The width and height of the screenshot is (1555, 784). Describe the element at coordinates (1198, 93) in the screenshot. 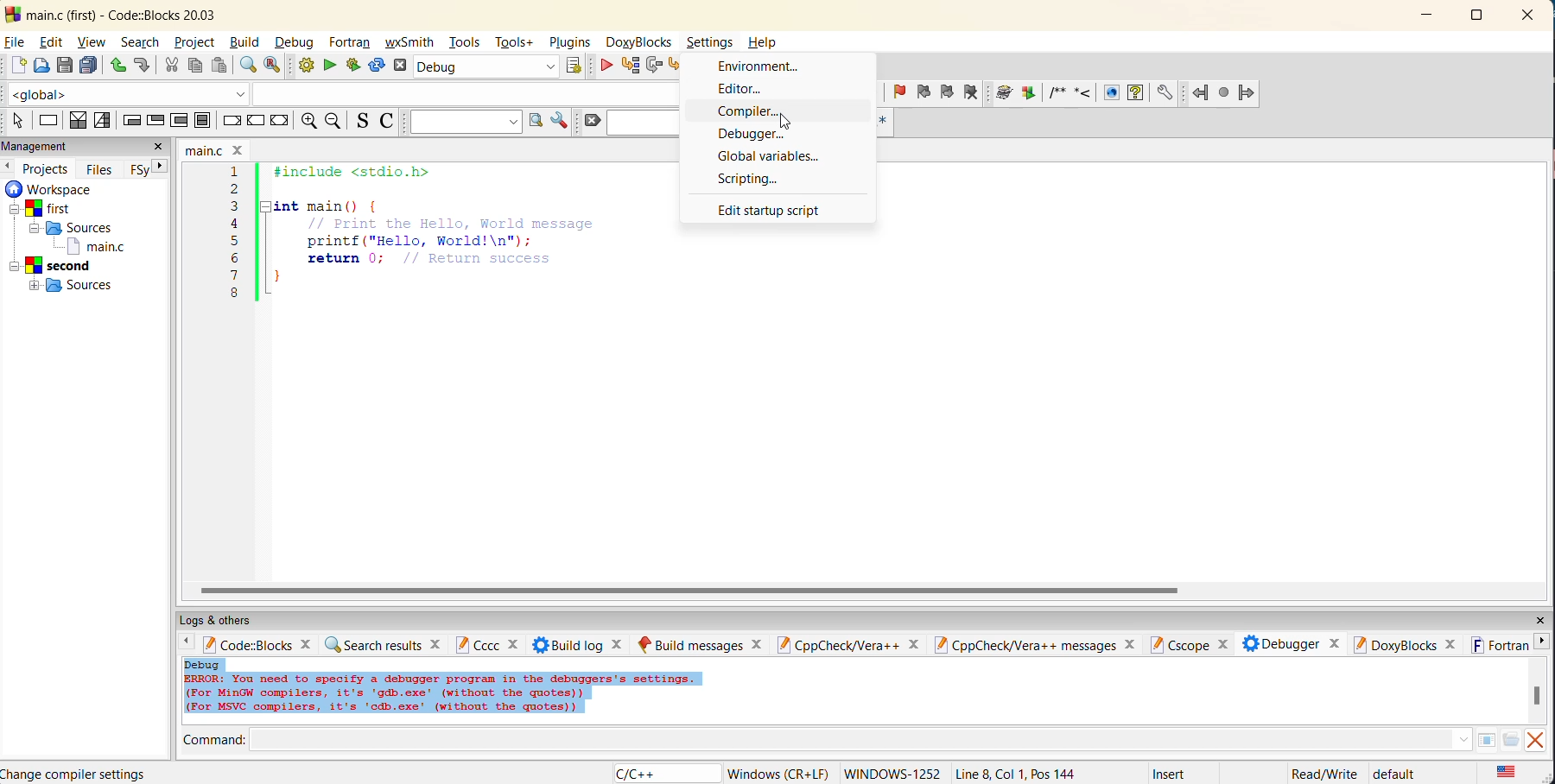

I see `Jump back` at that location.